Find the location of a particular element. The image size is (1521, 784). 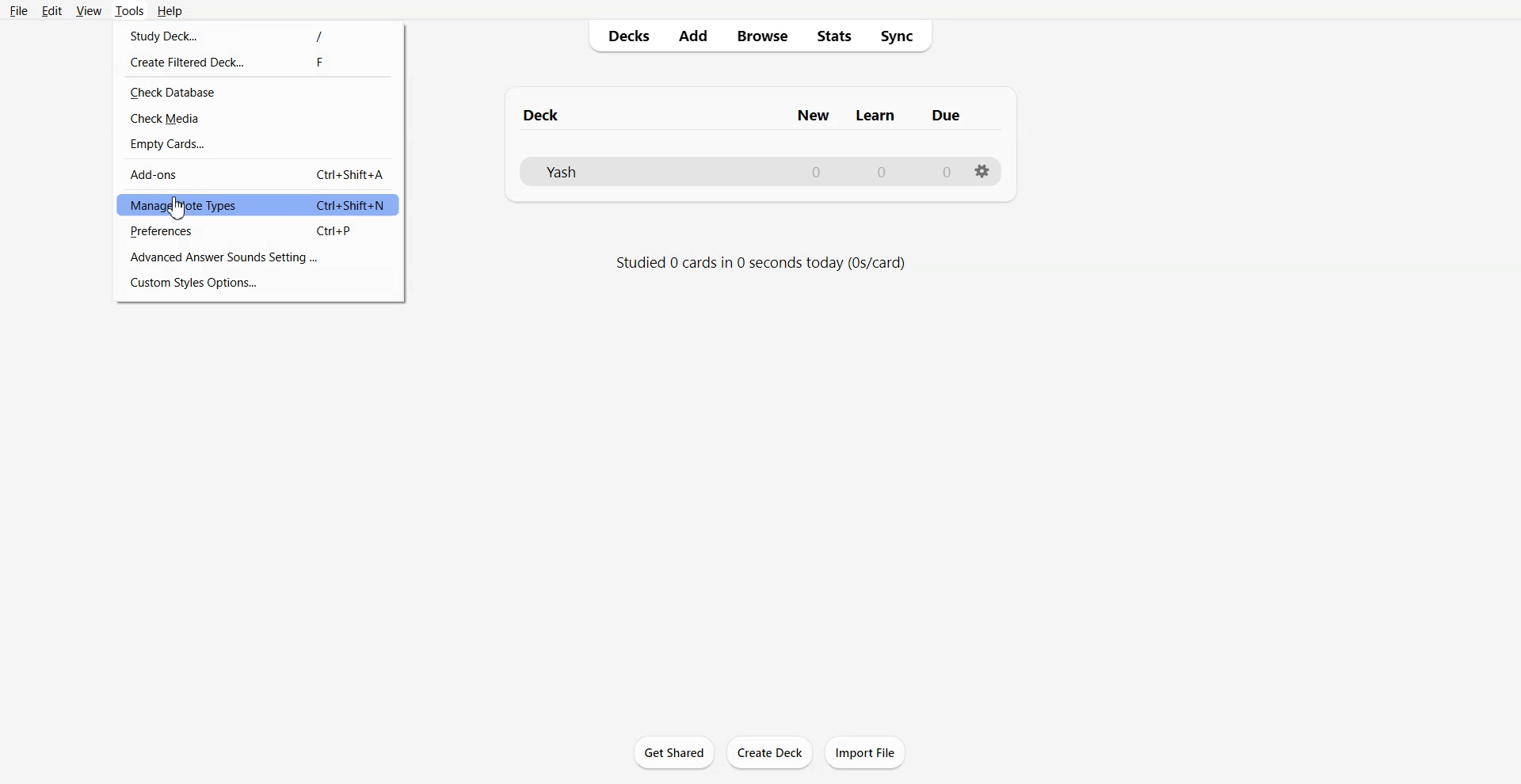

Column name is located at coordinates (813, 116).